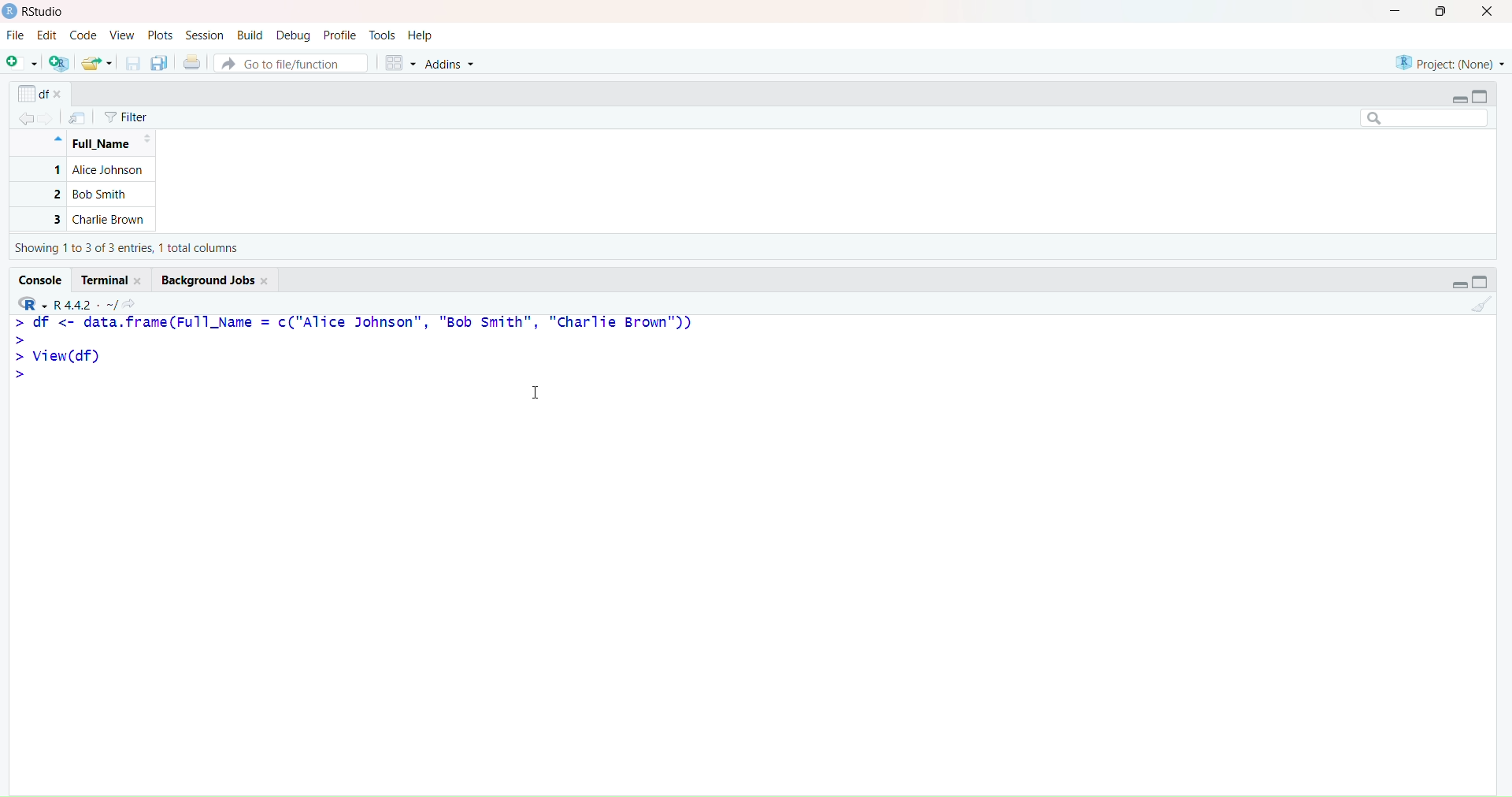  Describe the element at coordinates (1458, 98) in the screenshot. I see `Minimize` at that location.